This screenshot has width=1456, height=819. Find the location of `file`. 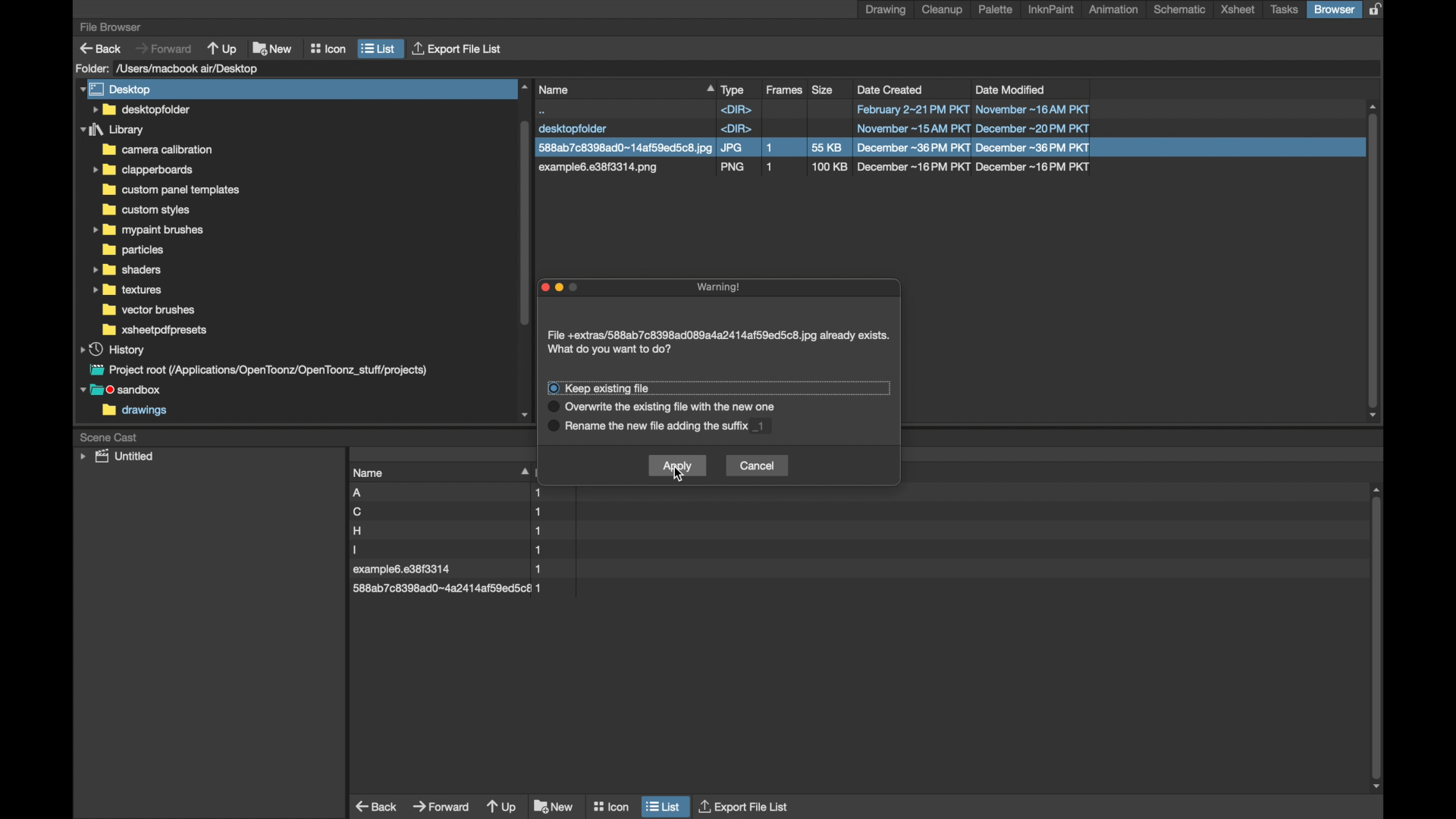

file is located at coordinates (815, 148).